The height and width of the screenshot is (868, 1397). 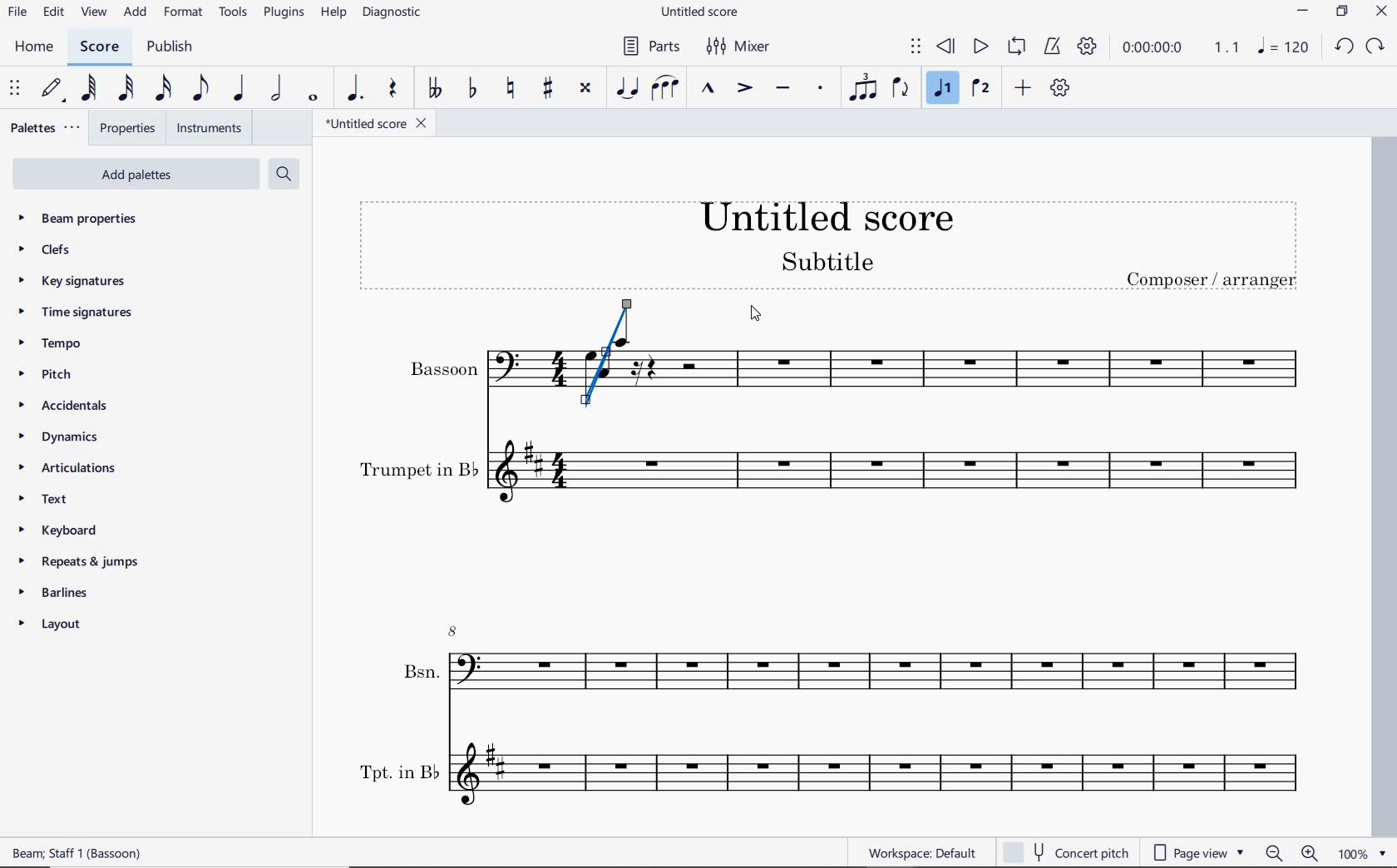 What do you see at coordinates (31, 47) in the screenshot?
I see `home` at bounding box center [31, 47].